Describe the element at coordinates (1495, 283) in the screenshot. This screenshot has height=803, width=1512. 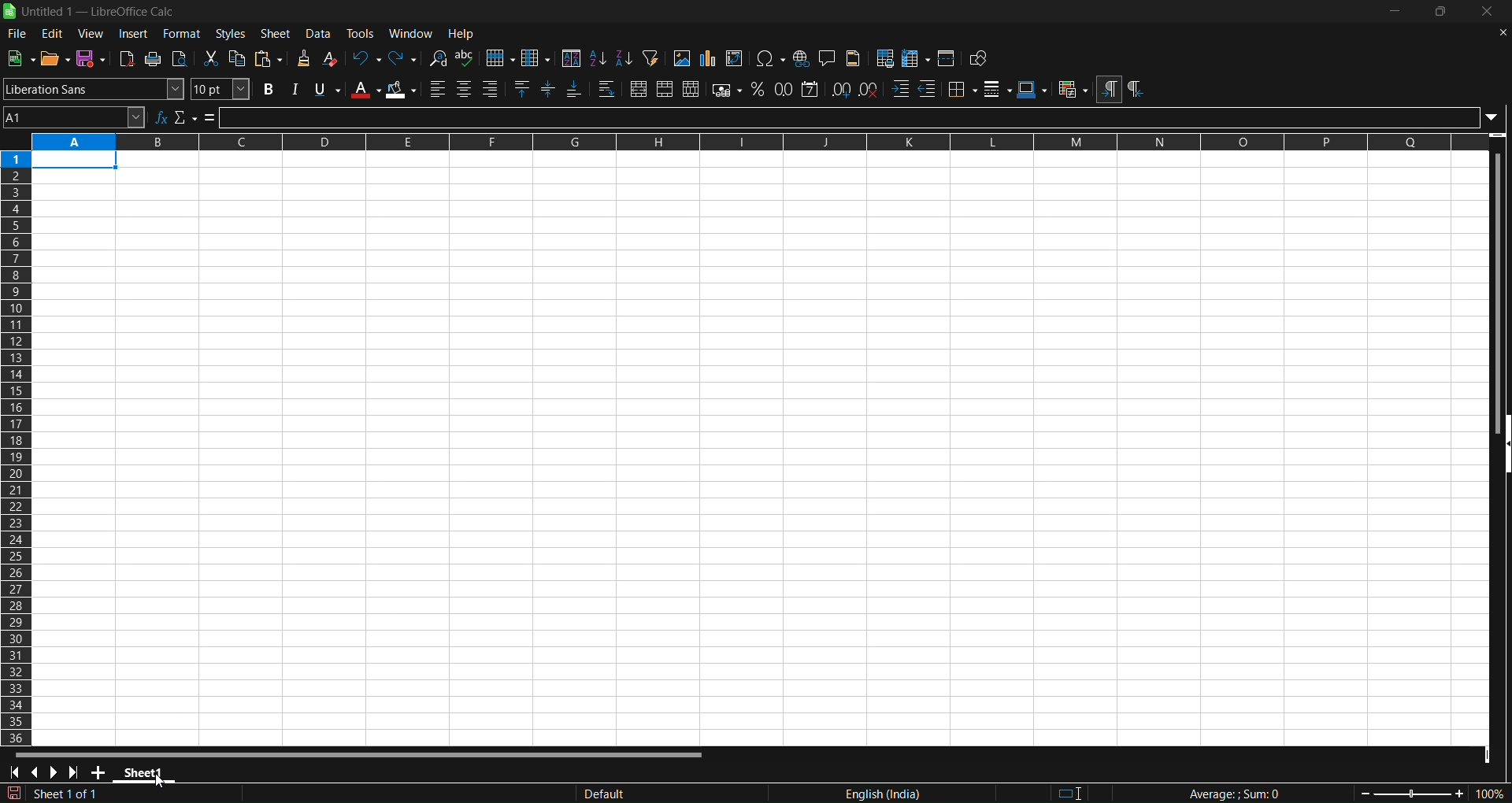
I see `vertical scroll bar` at that location.